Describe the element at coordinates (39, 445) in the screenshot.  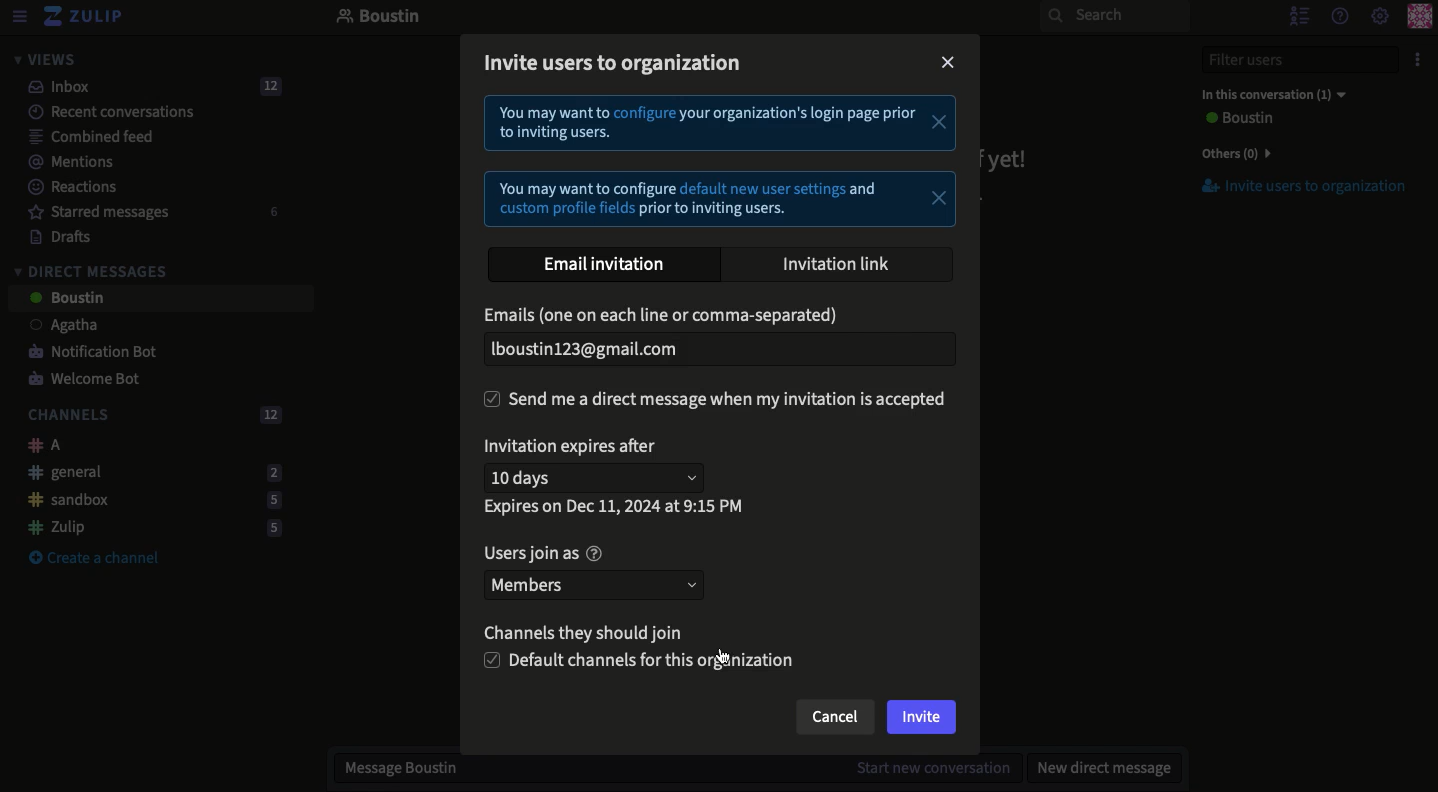
I see `A` at that location.